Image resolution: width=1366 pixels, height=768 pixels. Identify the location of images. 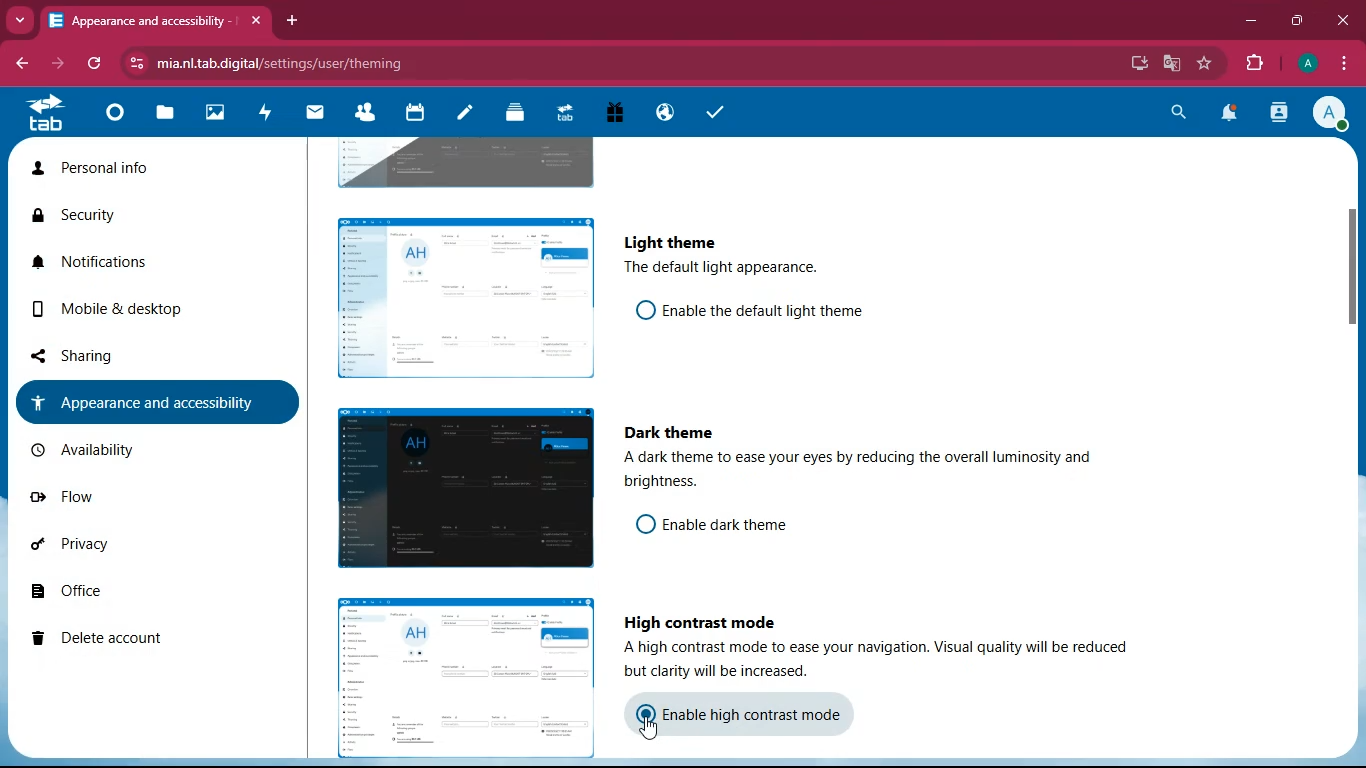
(211, 114).